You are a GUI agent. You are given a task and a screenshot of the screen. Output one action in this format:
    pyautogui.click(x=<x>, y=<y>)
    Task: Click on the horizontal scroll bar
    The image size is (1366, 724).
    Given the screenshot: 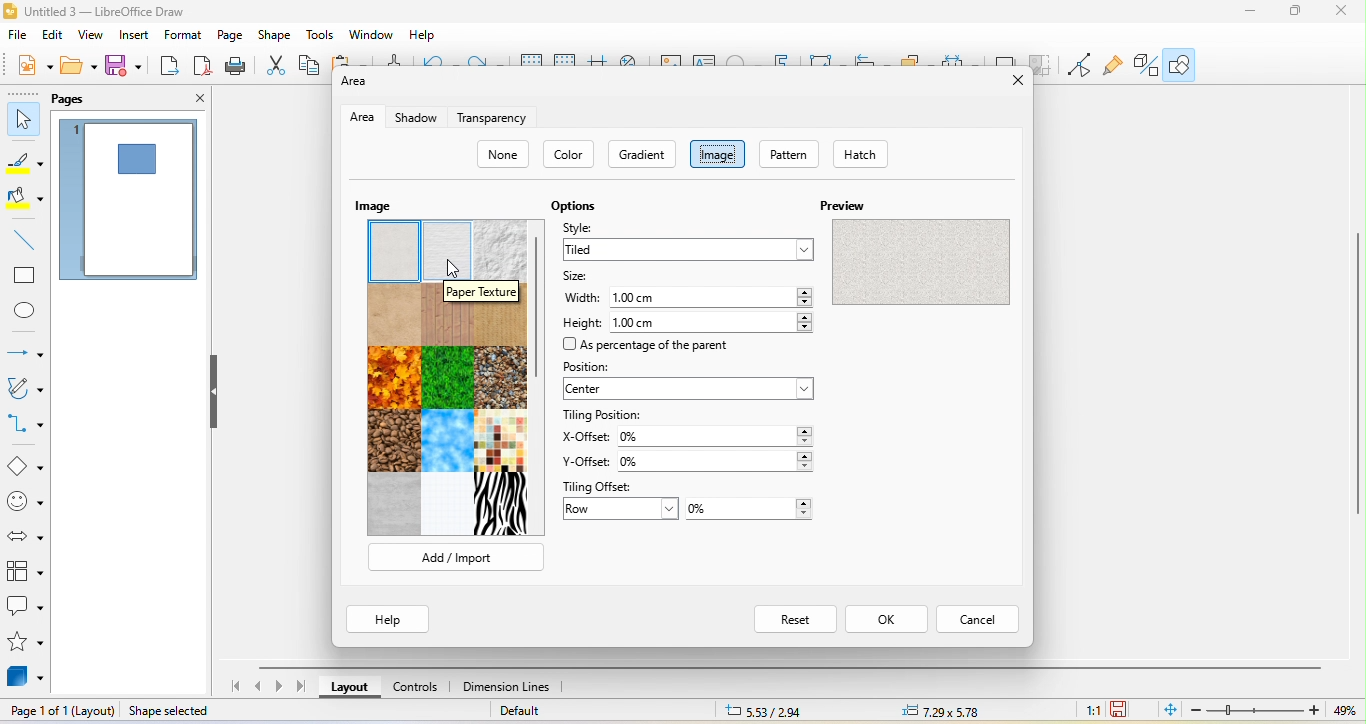 What is the action you would take?
    pyautogui.click(x=794, y=668)
    